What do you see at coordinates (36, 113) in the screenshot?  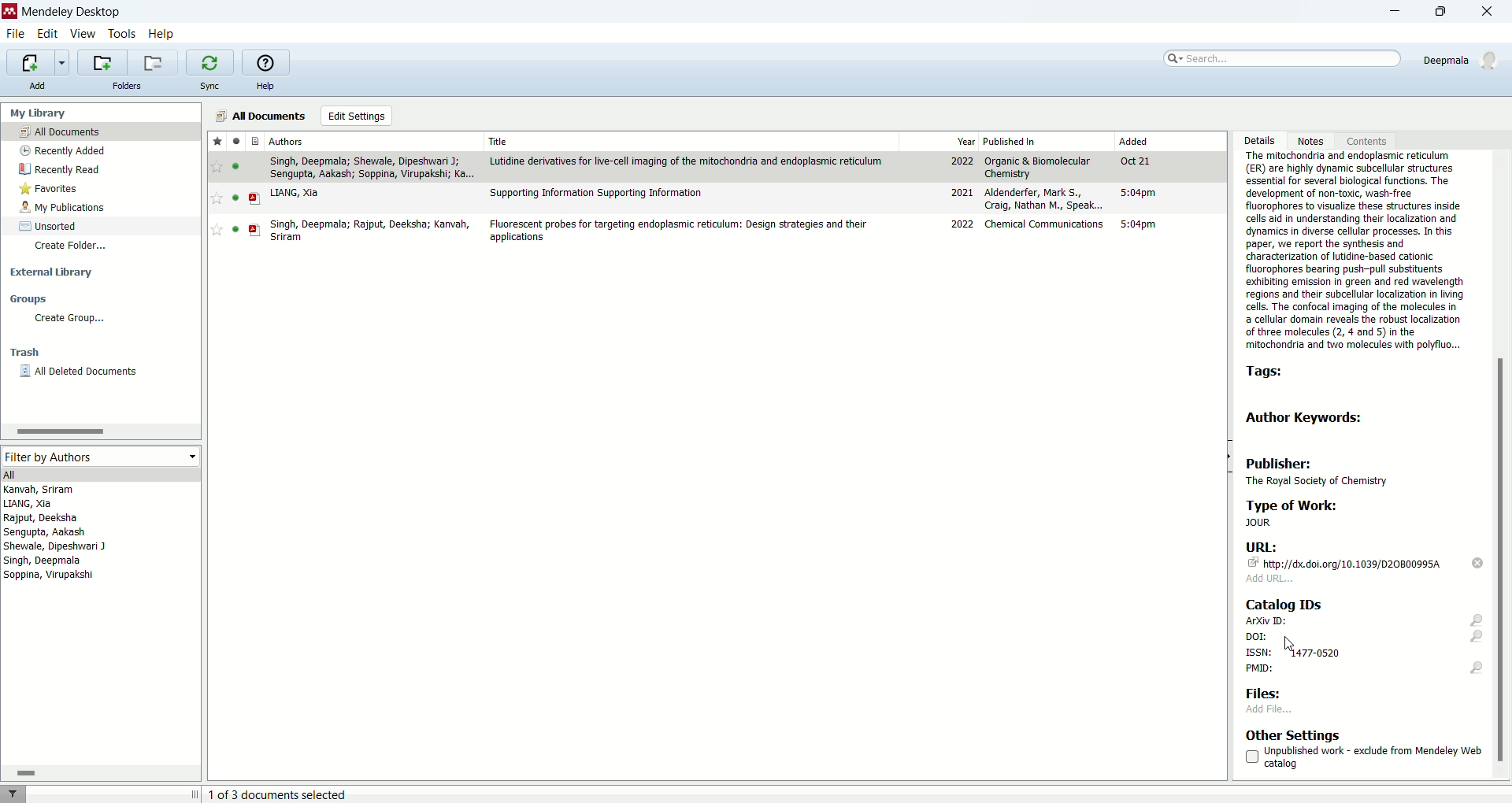 I see `my library` at bounding box center [36, 113].